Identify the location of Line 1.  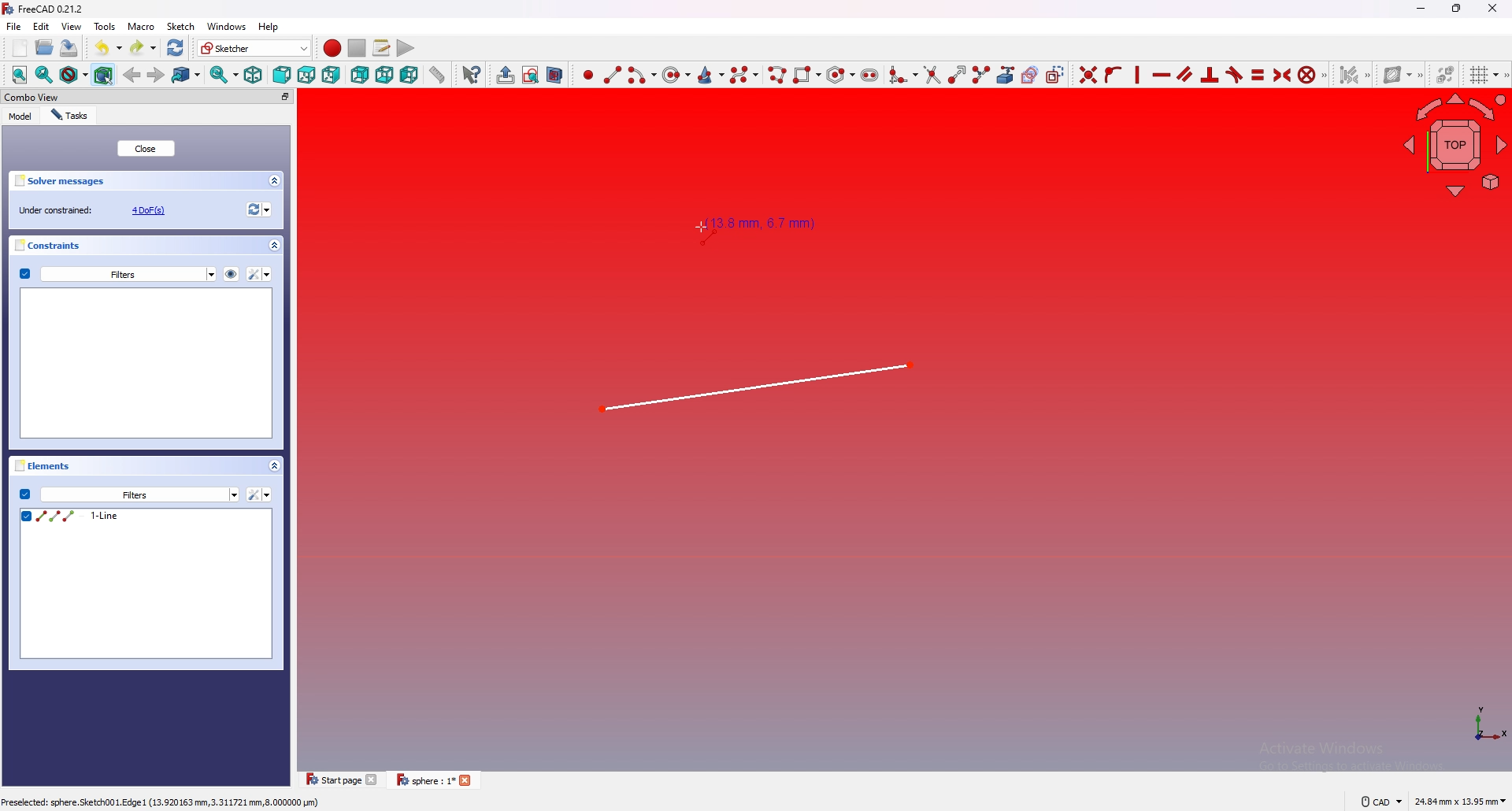
(759, 389).